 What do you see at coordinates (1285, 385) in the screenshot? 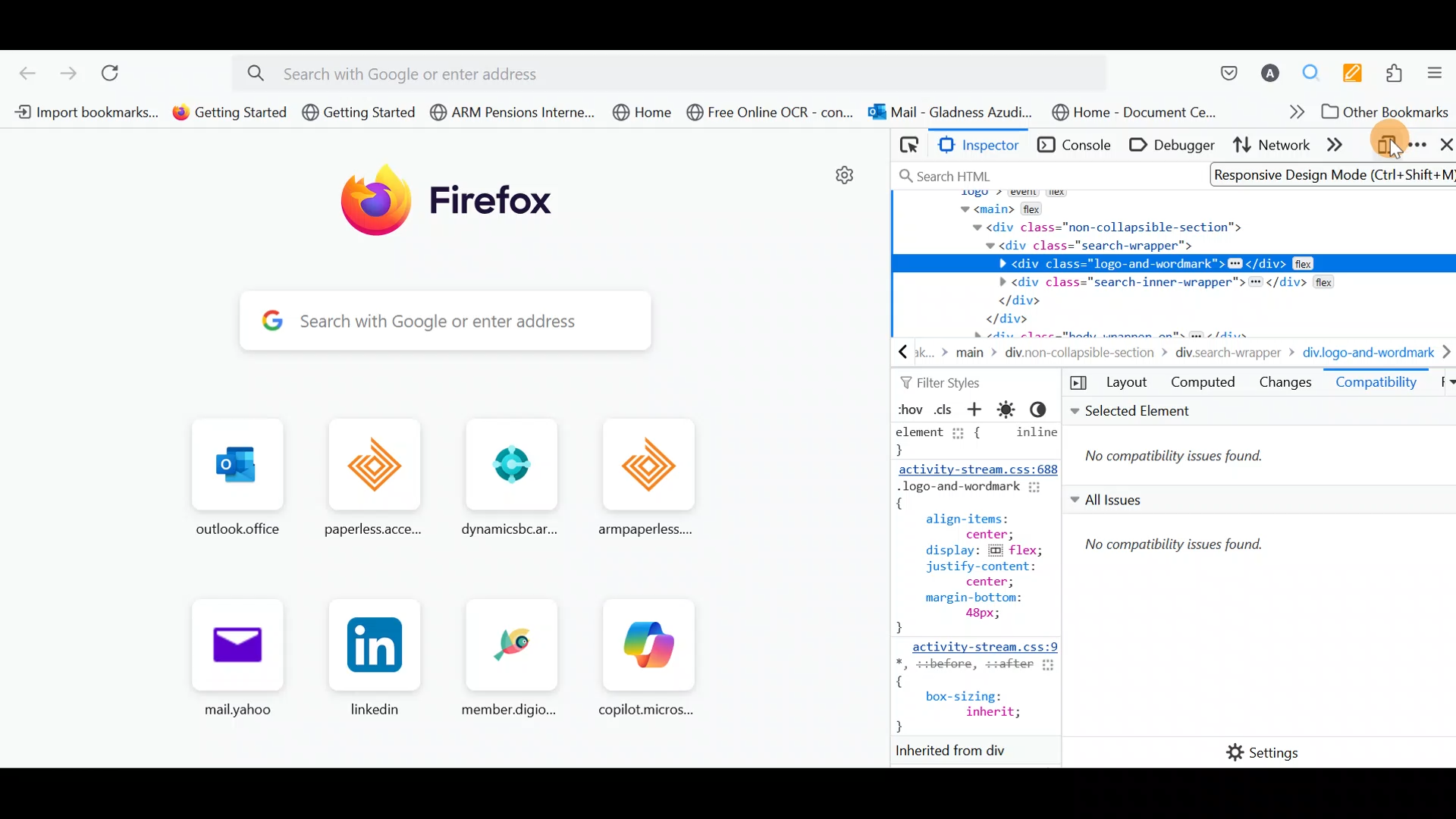
I see `Changes` at bounding box center [1285, 385].